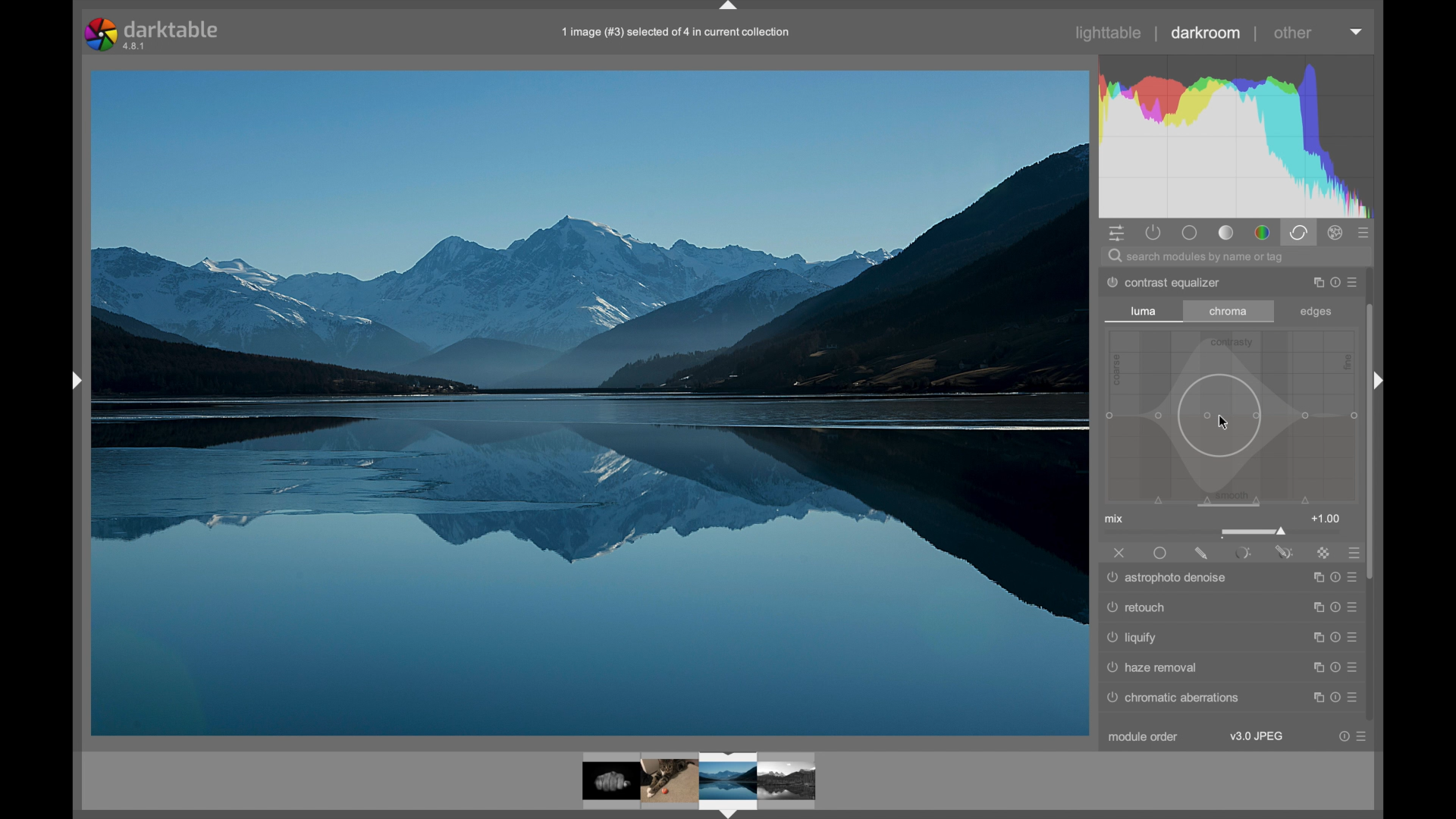  What do you see at coordinates (1364, 232) in the screenshot?
I see `presets` at bounding box center [1364, 232].